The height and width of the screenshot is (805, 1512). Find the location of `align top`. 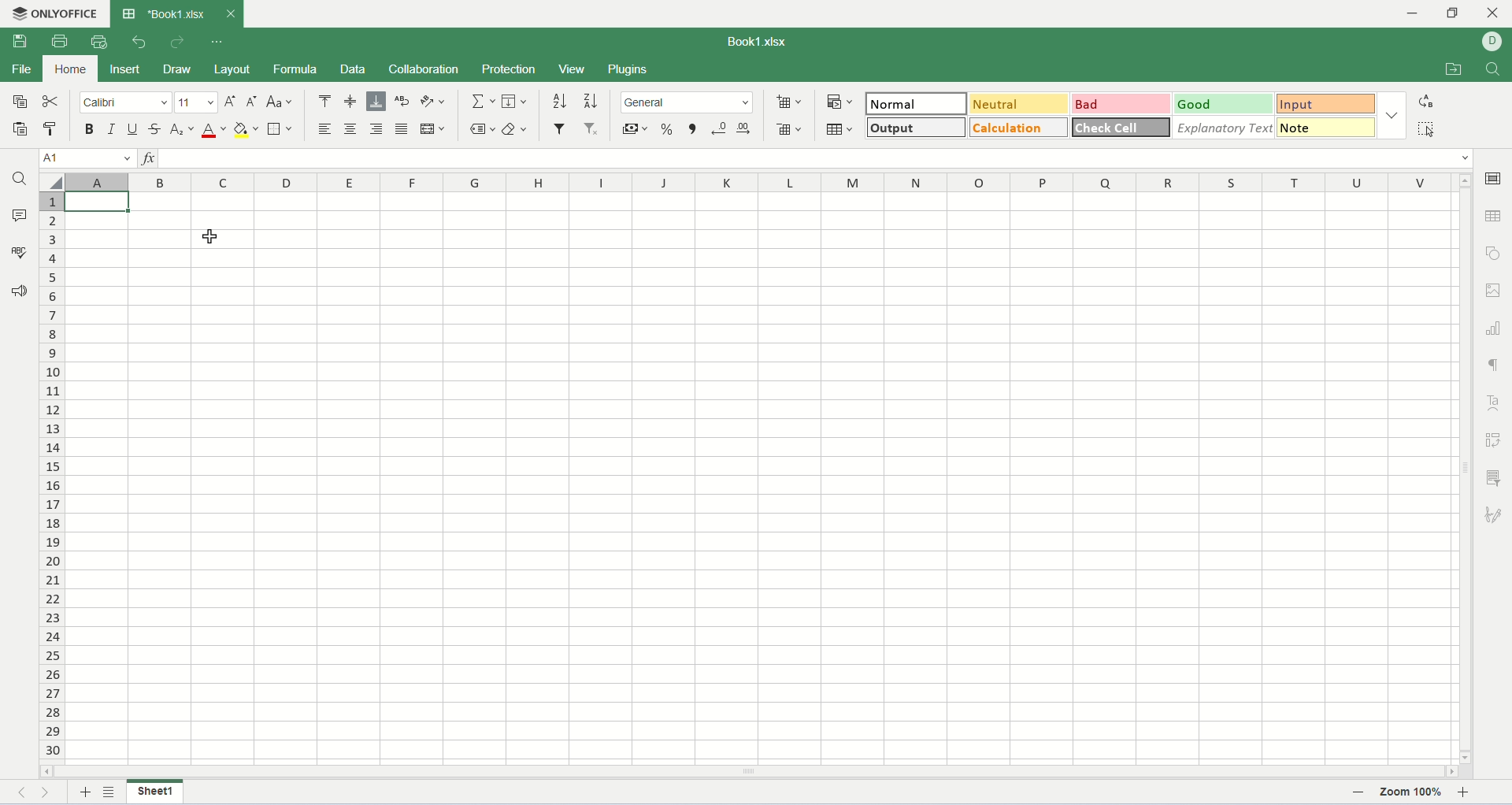

align top is located at coordinates (324, 101).